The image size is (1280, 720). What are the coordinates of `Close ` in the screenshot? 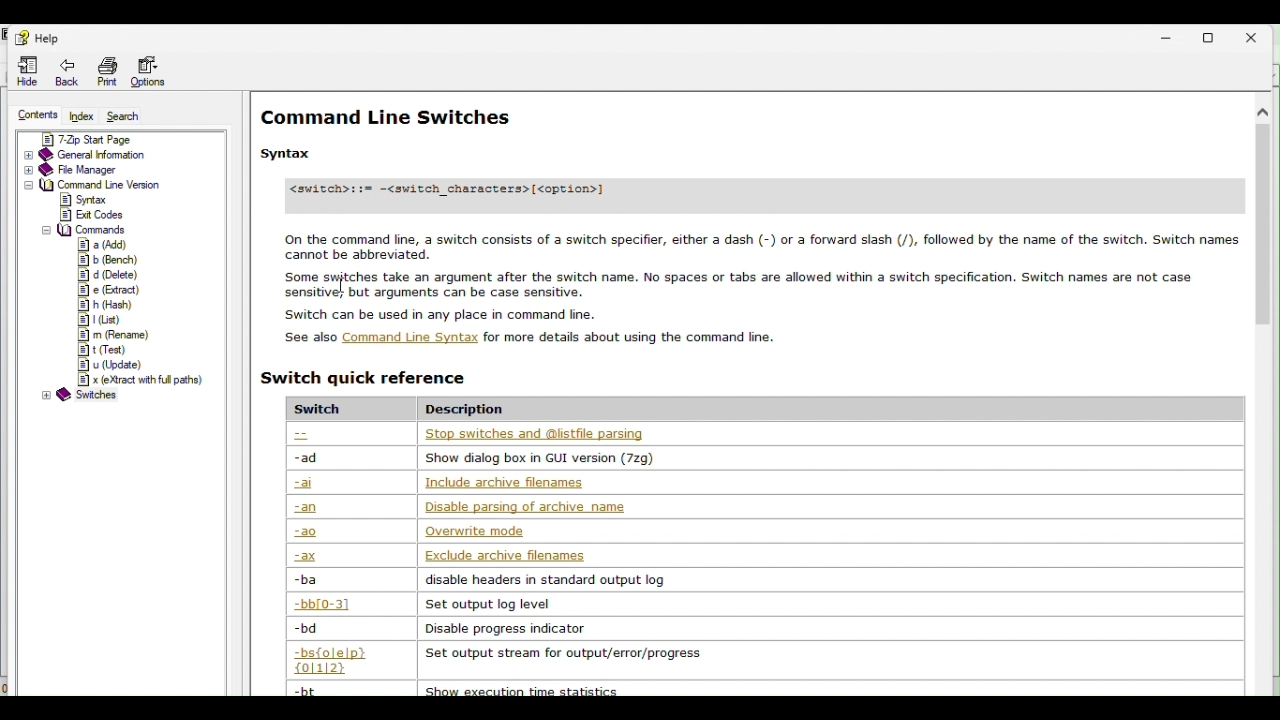 It's located at (1259, 35).